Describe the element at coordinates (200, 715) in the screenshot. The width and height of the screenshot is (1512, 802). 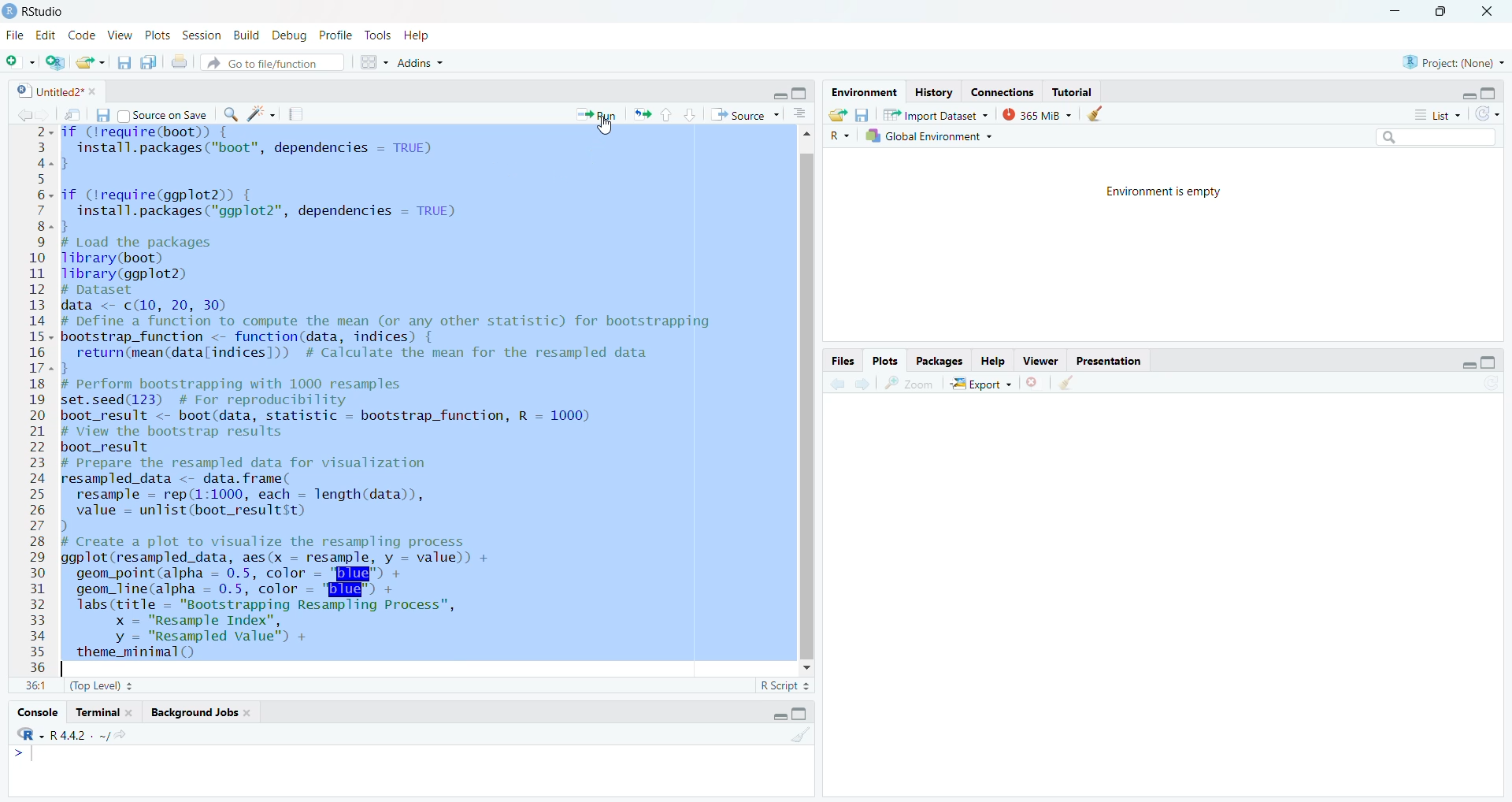
I see `background Jobs` at that location.